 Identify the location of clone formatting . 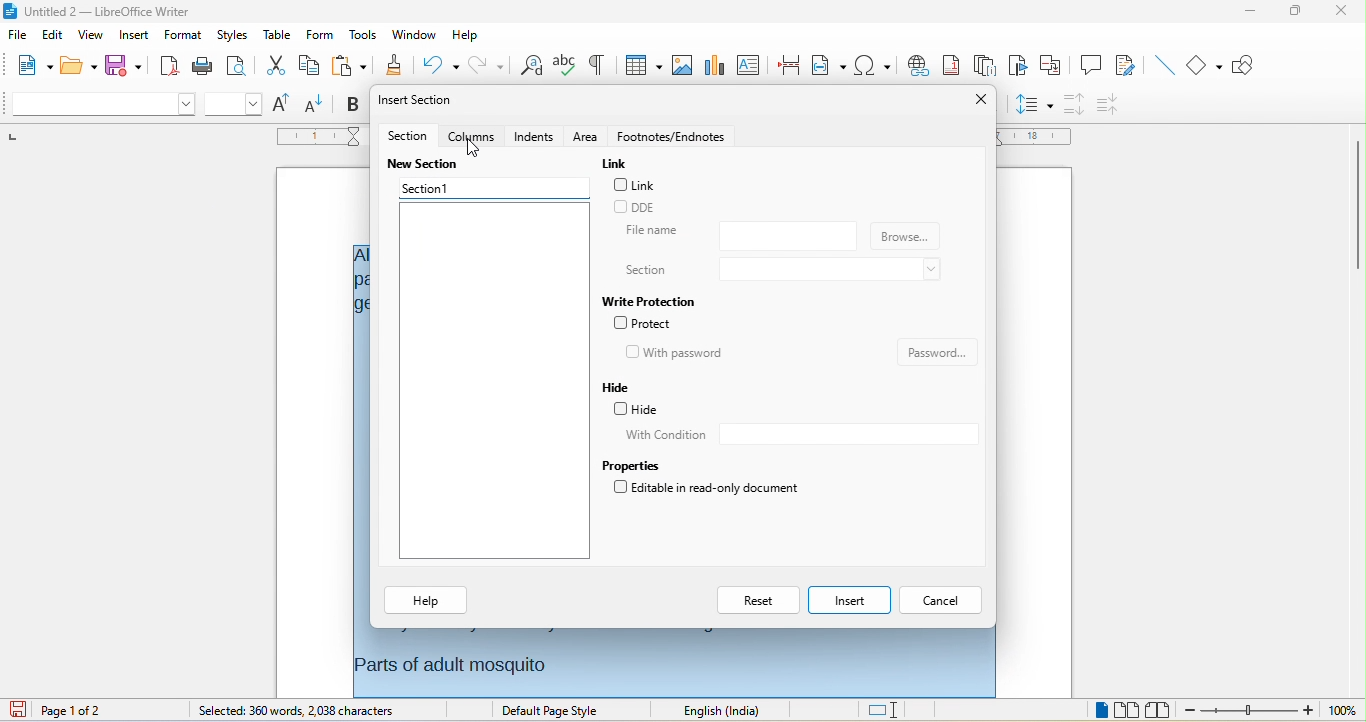
(391, 65).